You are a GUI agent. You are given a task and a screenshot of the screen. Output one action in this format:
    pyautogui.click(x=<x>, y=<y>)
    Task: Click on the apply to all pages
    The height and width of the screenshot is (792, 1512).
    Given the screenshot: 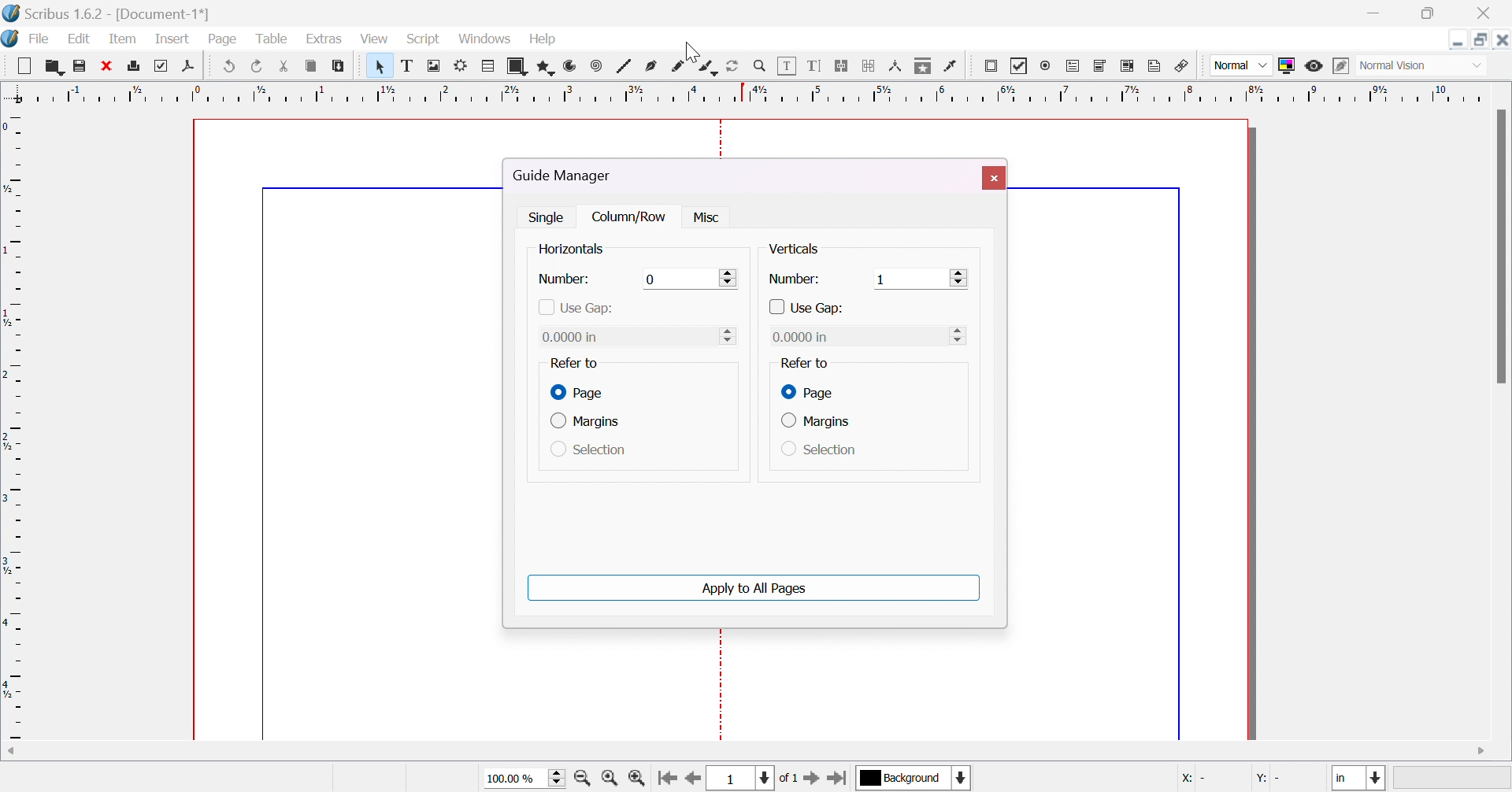 What is the action you would take?
    pyautogui.click(x=754, y=589)
    